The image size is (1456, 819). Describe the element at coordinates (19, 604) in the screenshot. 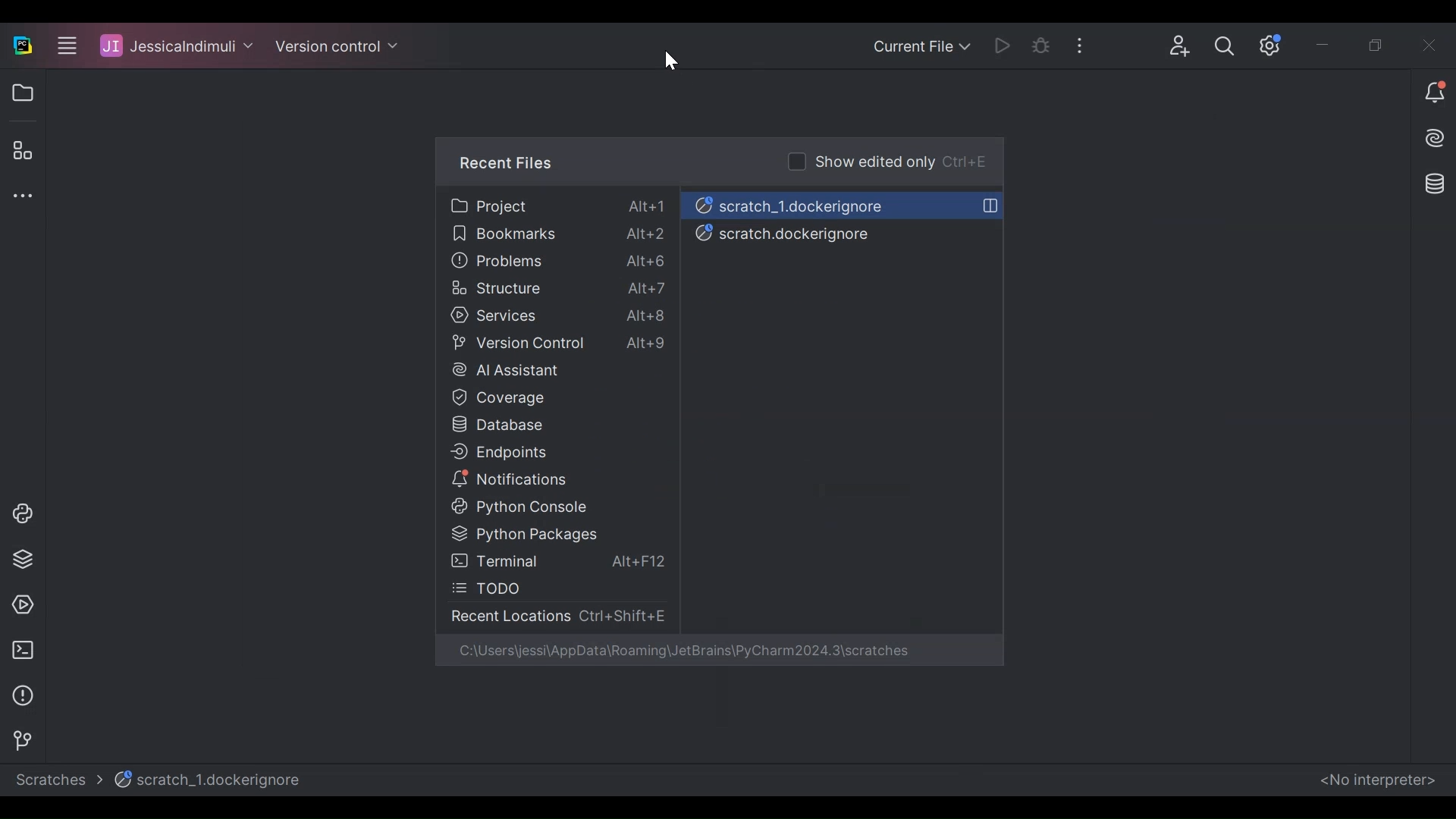

I see `Services` at that location.